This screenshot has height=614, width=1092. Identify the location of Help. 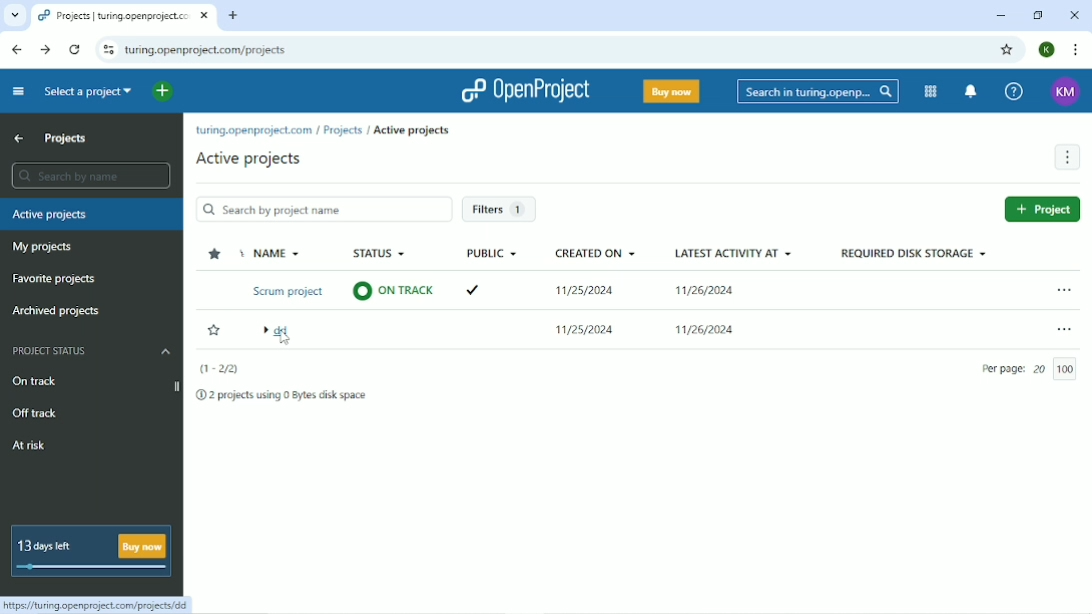
(1014, 91).